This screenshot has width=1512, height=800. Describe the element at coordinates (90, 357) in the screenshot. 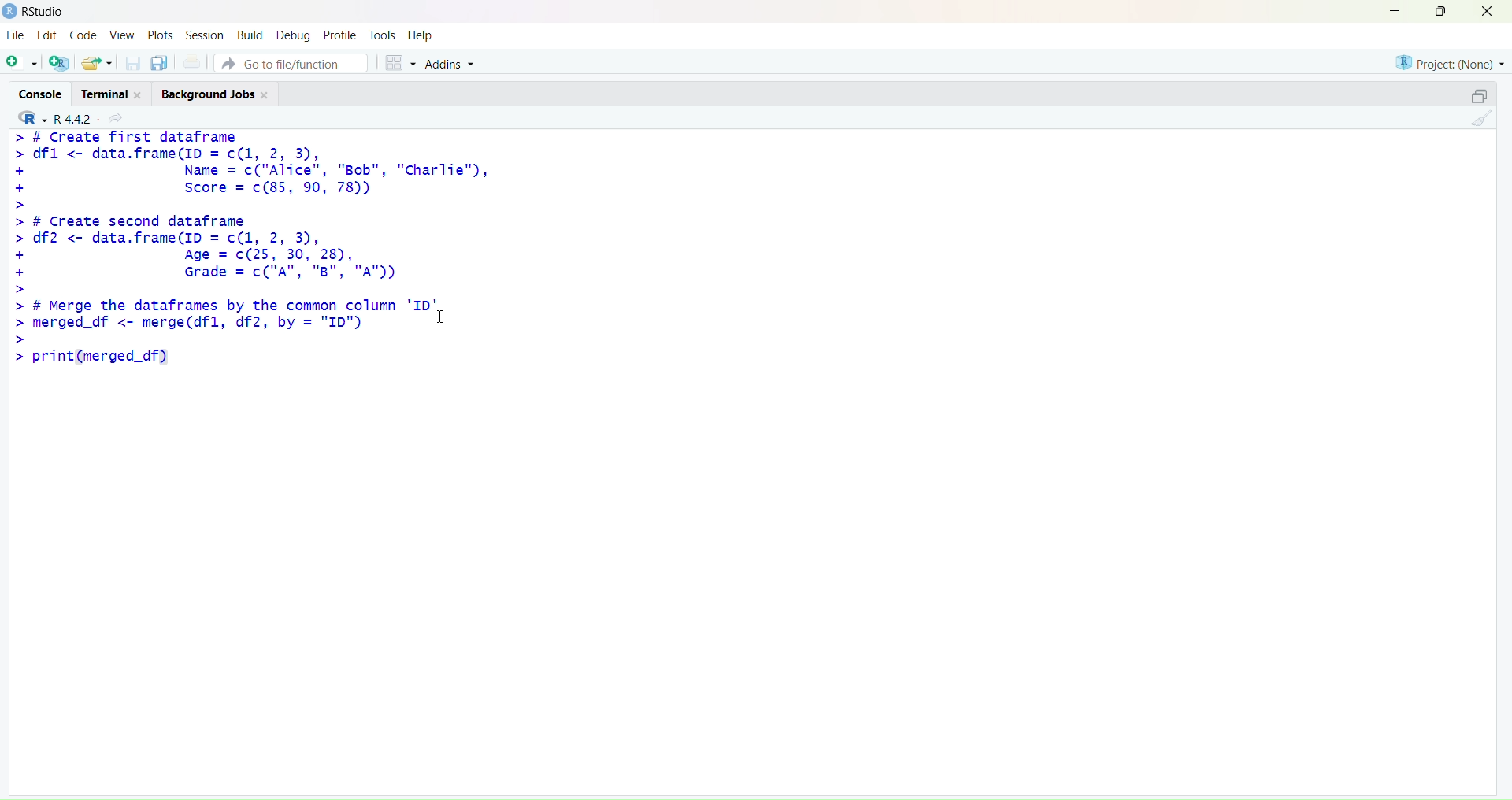

I see ` print(merged_df)` at that location.